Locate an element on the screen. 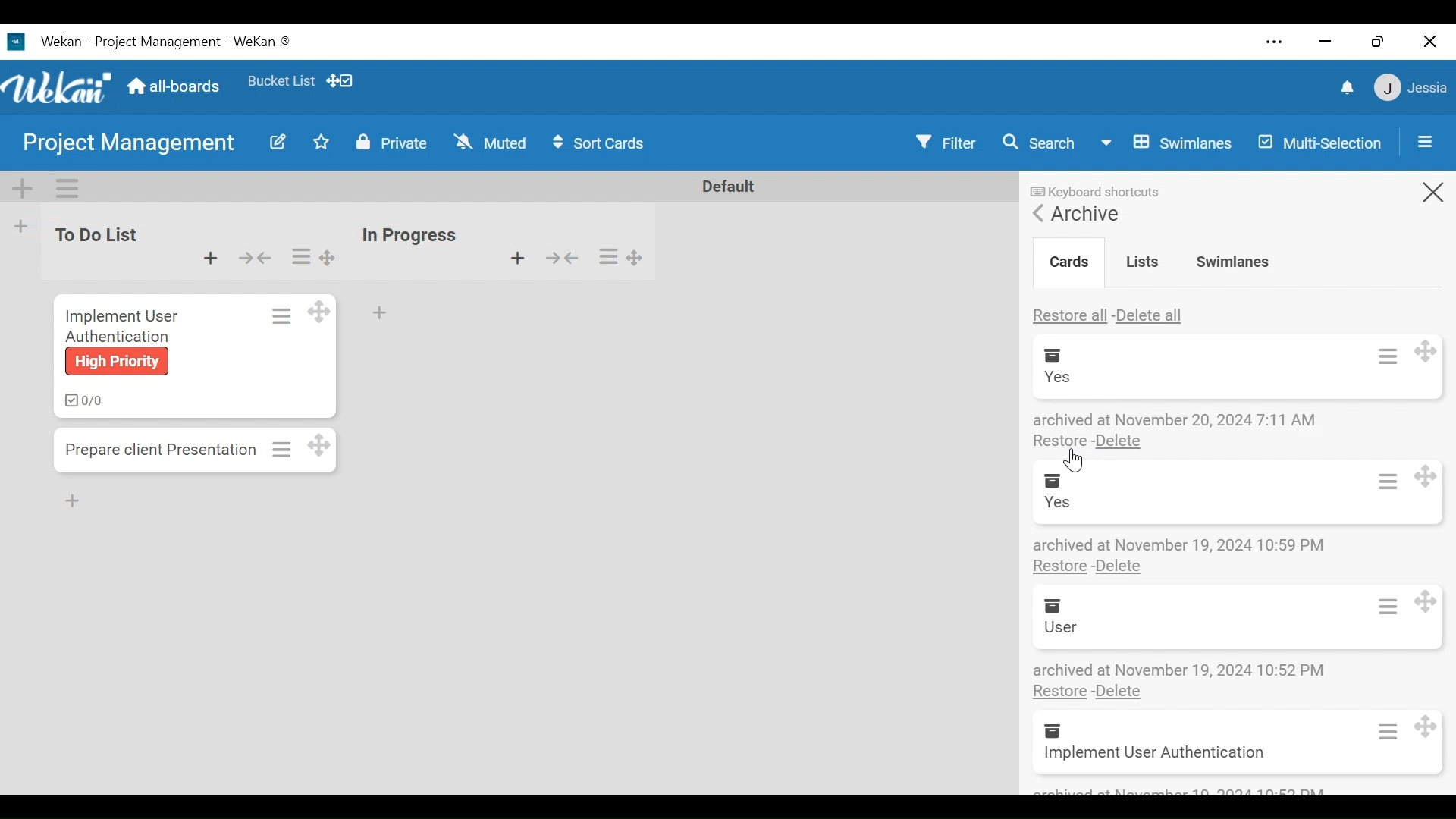  Delete all is located at coordinates (1153, 313).